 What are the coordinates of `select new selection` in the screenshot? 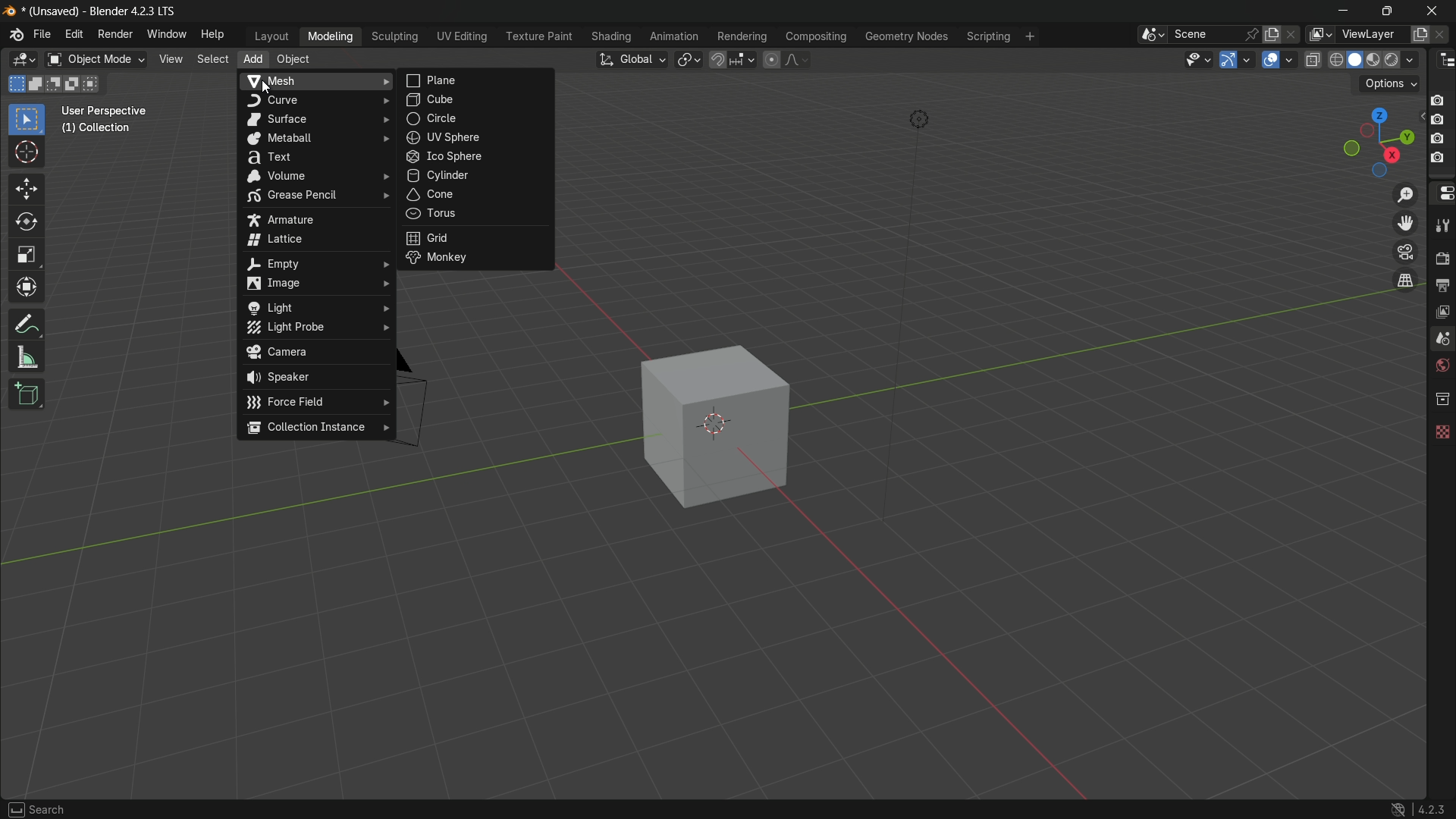 It's located at (16, 83).